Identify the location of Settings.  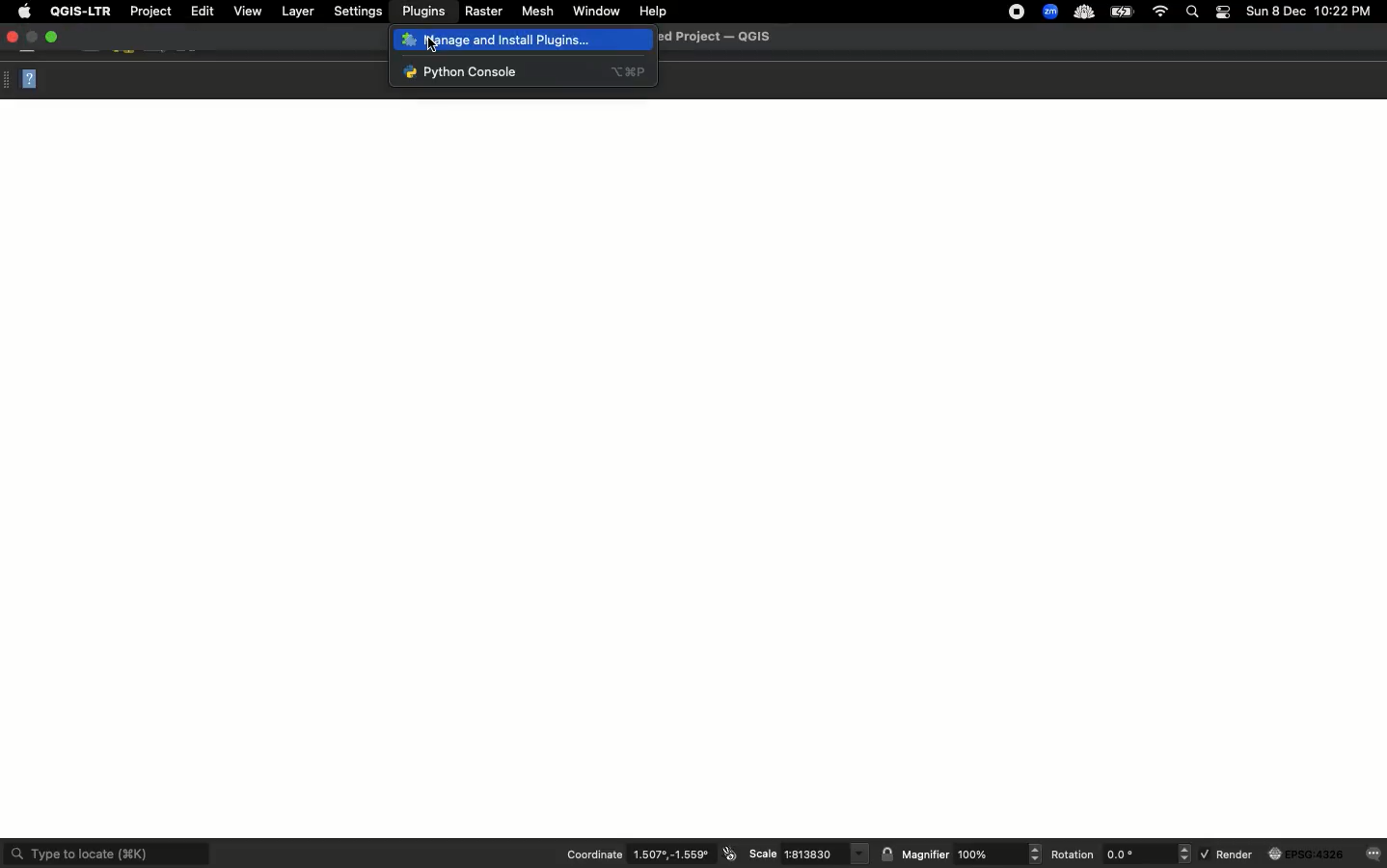
(356, 12).